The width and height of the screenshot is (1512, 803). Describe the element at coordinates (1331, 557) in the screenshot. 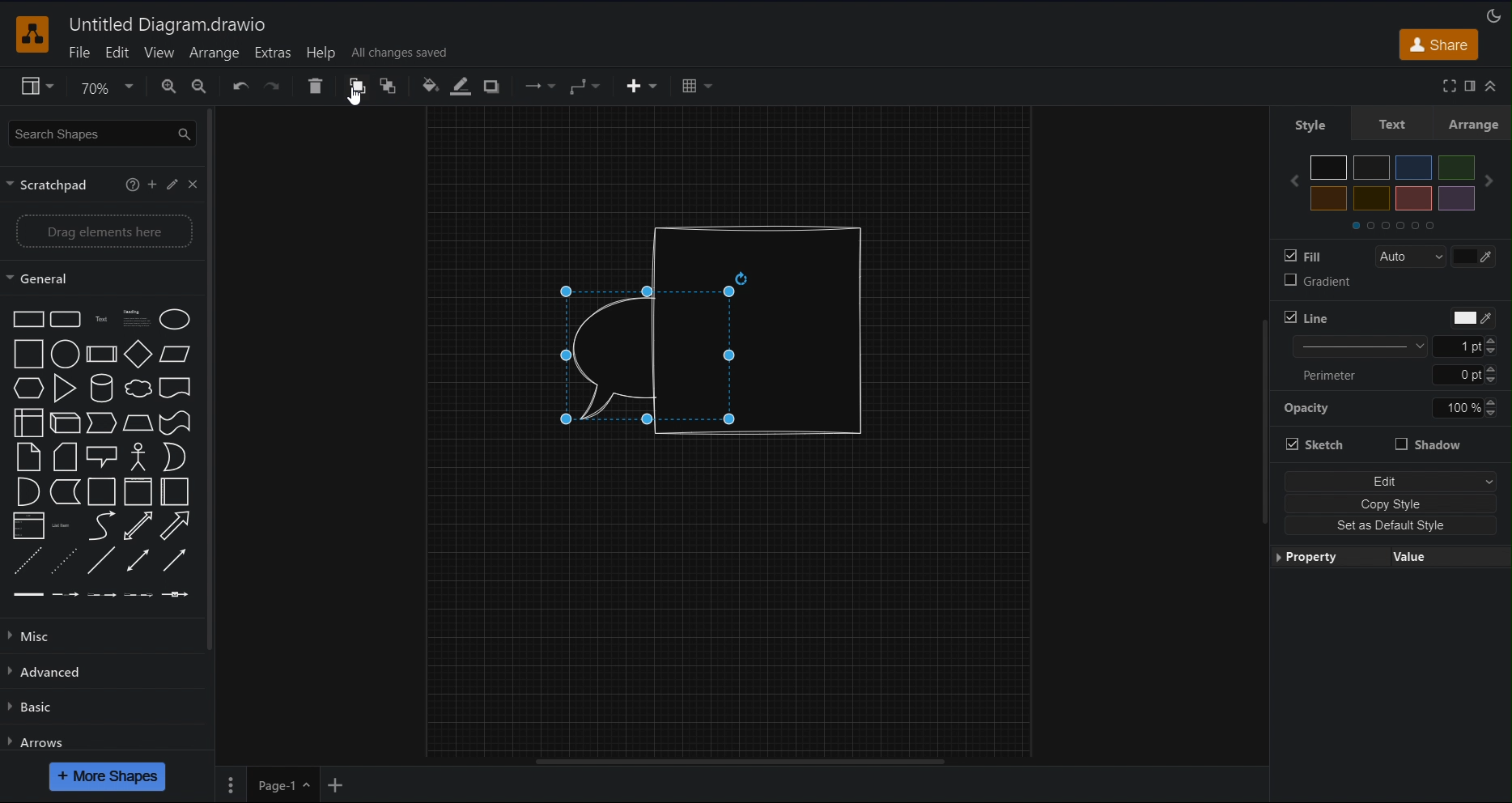

I see `Property ` at that location.